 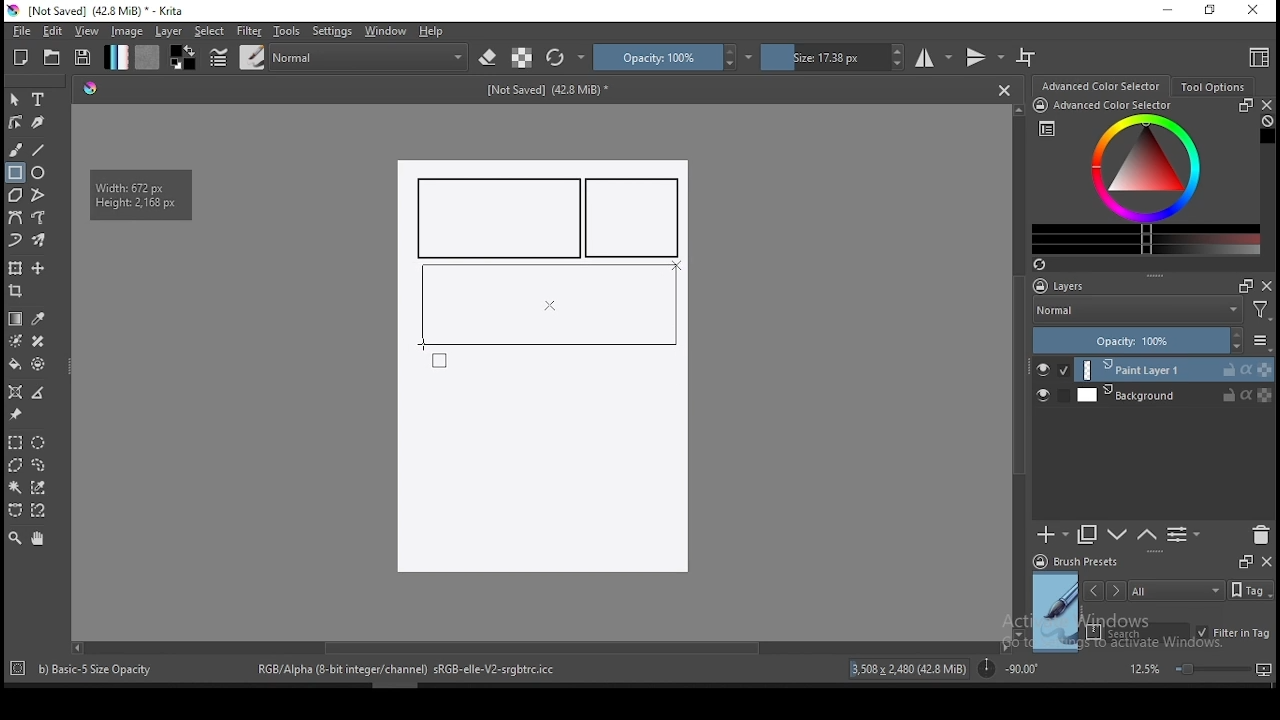 What do you see at coordinates (1261, 313) in the screenshot?
I see `Filter` at bounding box center [1261, 313].